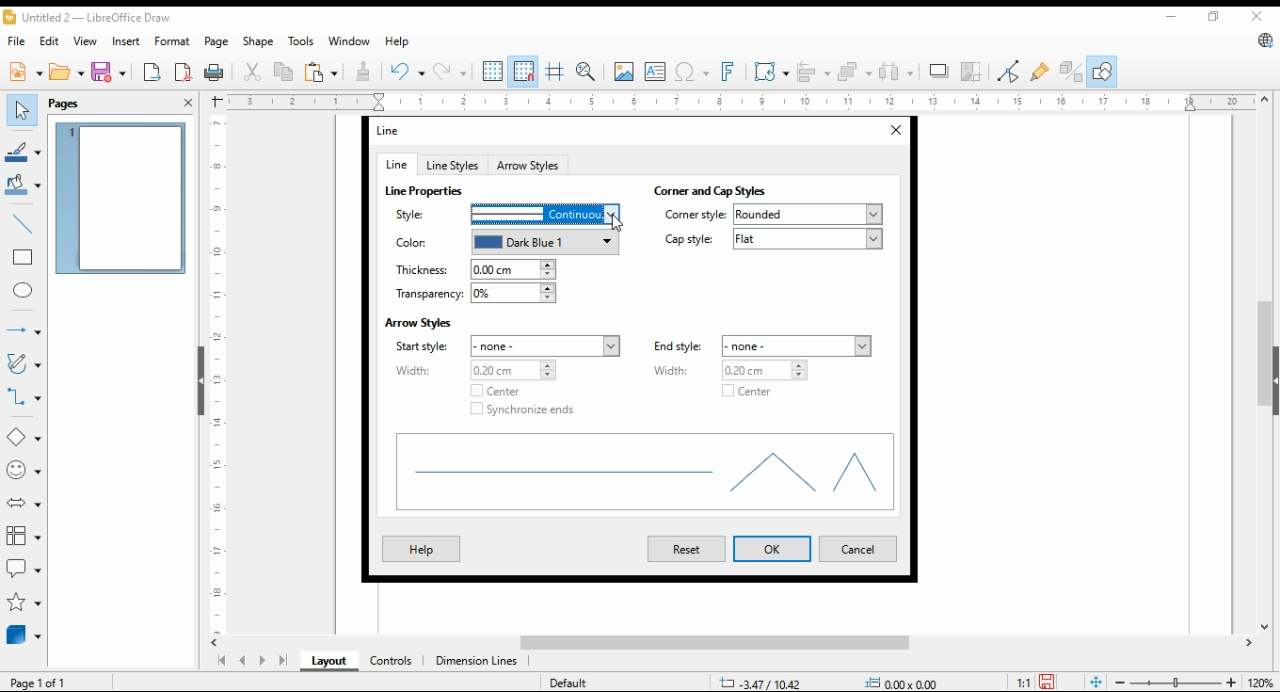 The image size is (1280, 692). What do you see at coordinates (261, 661) in the screenshot?
I see `next page` at bounding box center [261, 661].